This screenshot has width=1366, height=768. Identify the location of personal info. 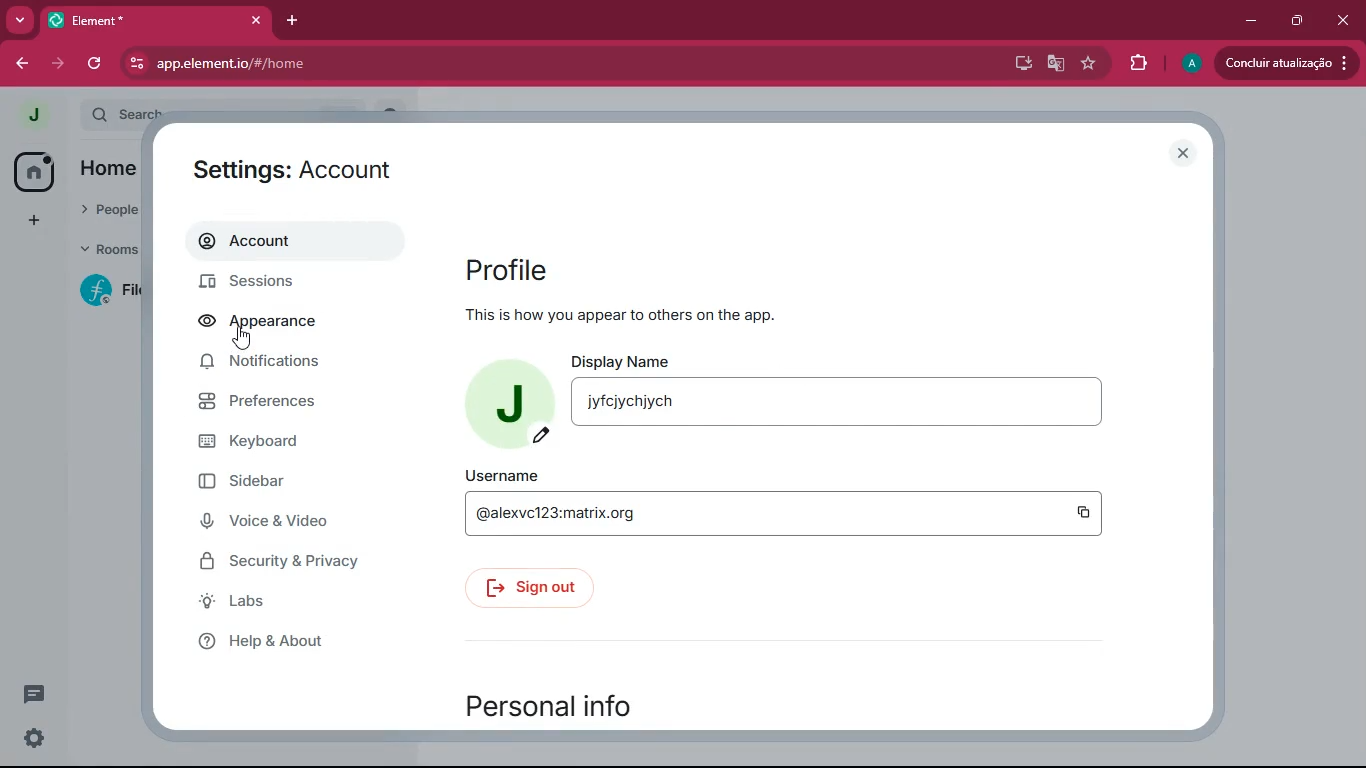
(557, 703).